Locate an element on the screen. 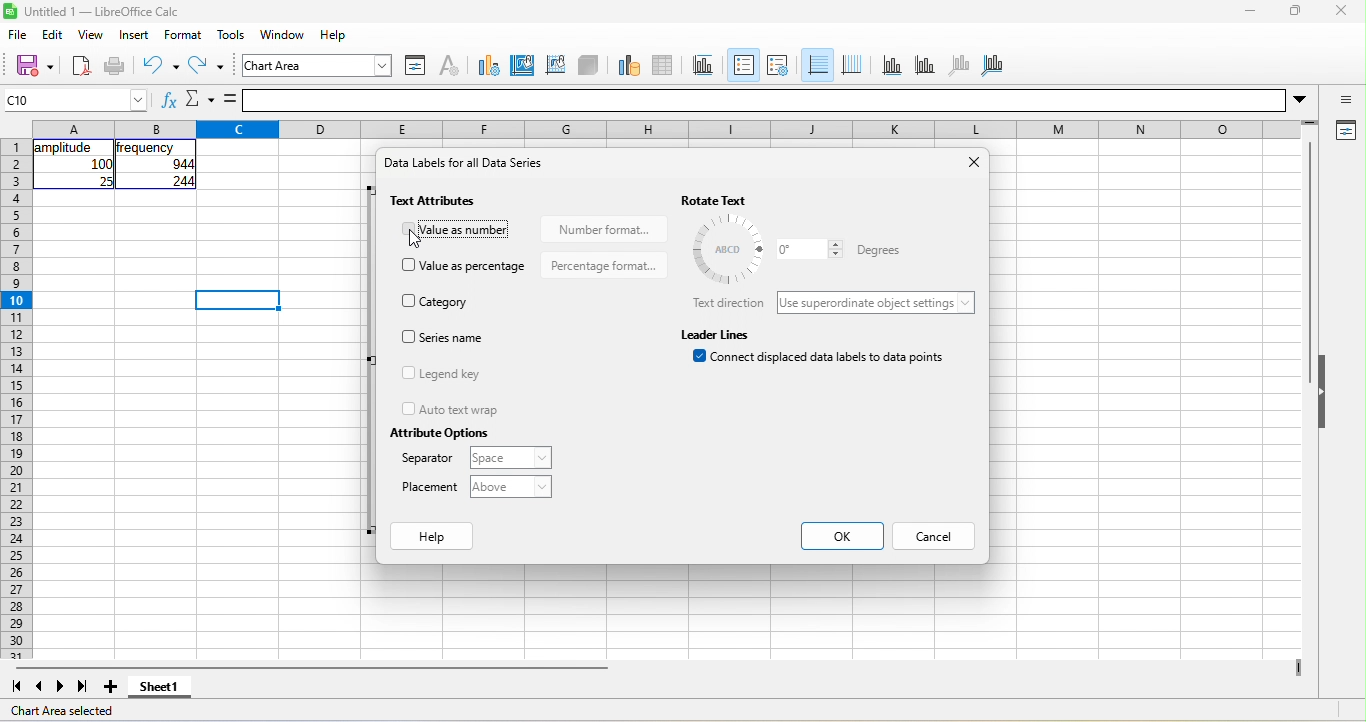 The height and width of the screenshot is (722, 1366). cursor movement is located at coordinates (421, 238).